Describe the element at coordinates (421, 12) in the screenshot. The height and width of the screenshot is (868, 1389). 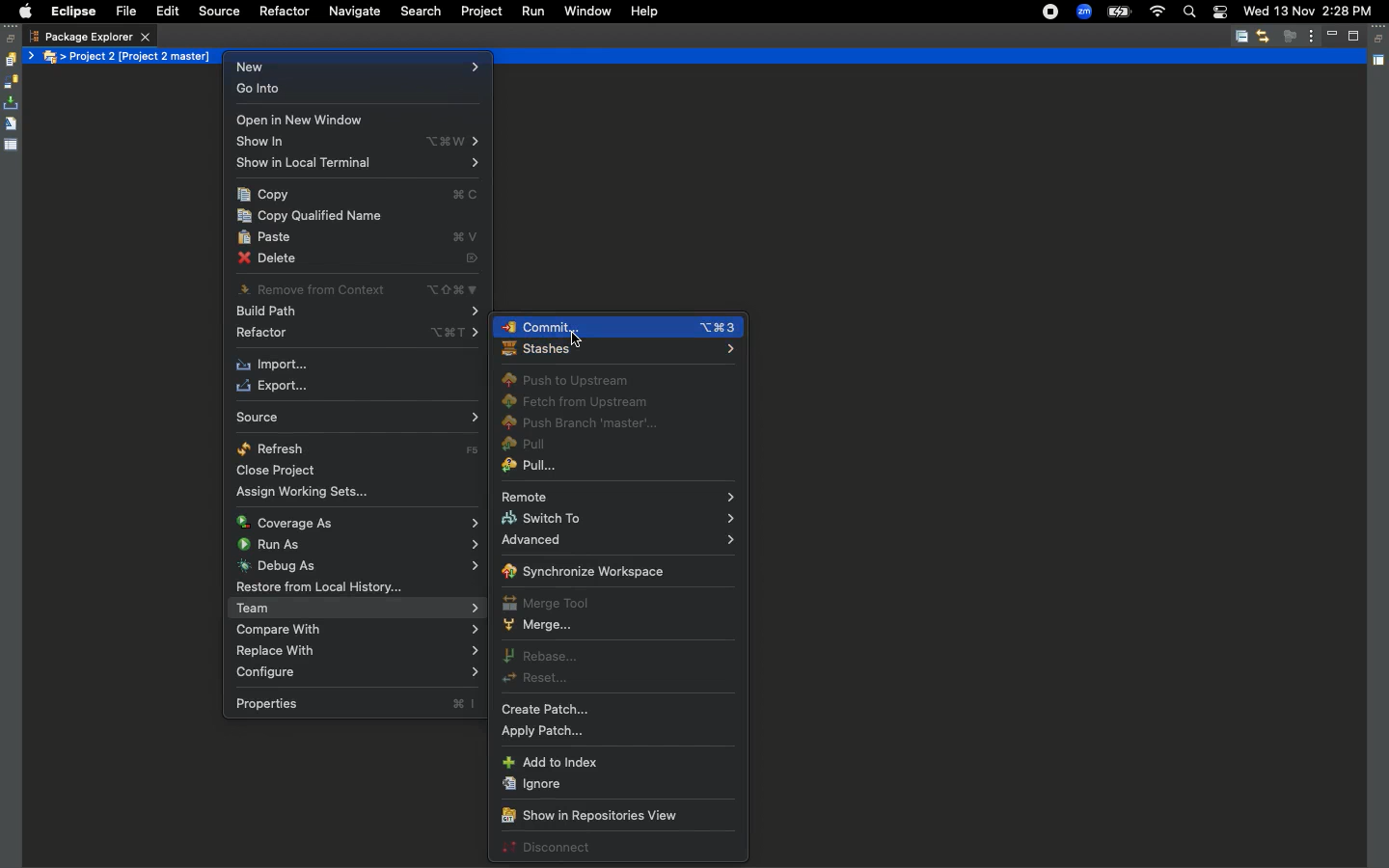
I see `Search` at that location.